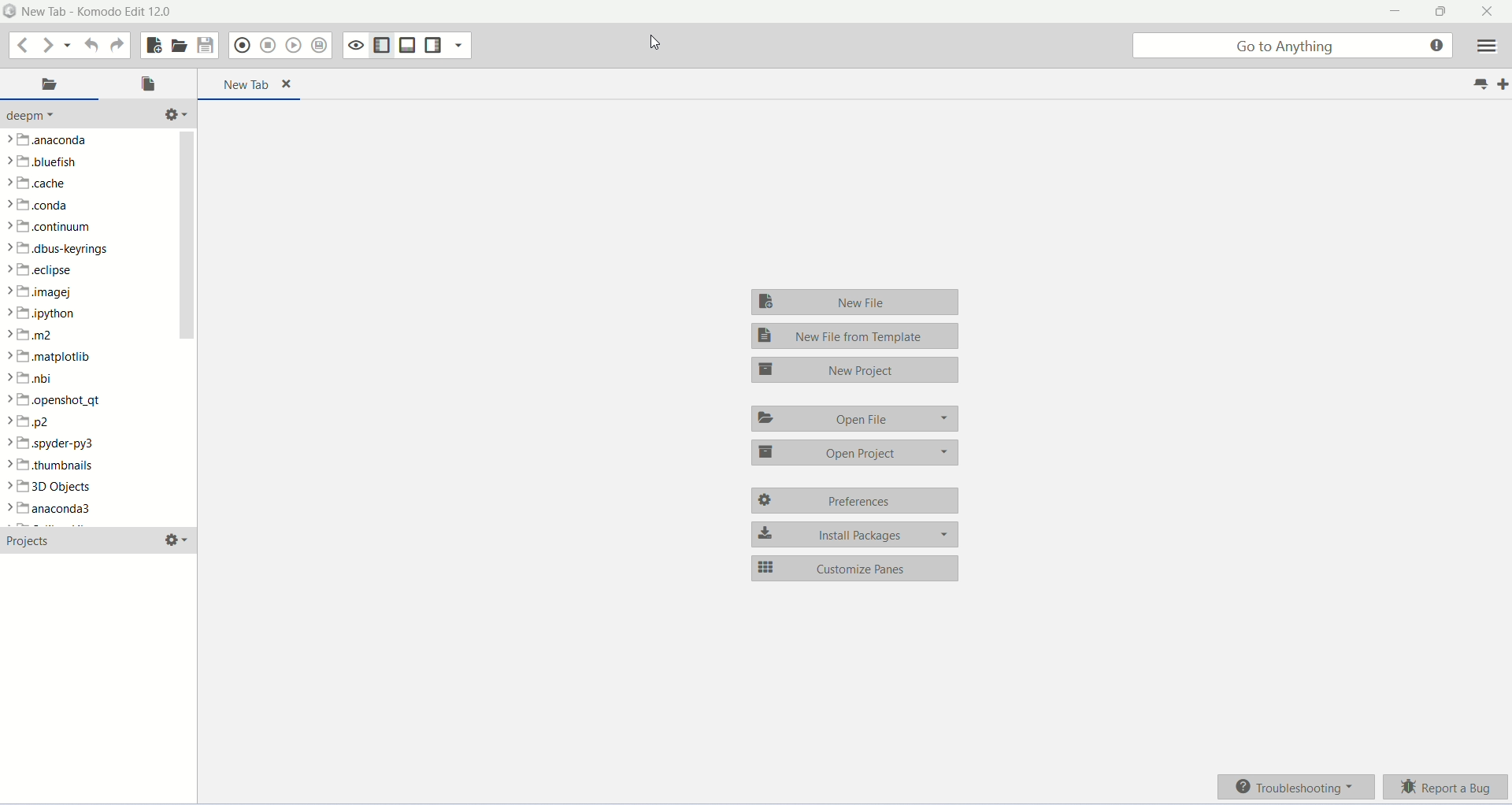 The image size is (1512, 805). I want to click on undo, so click(88, 45).